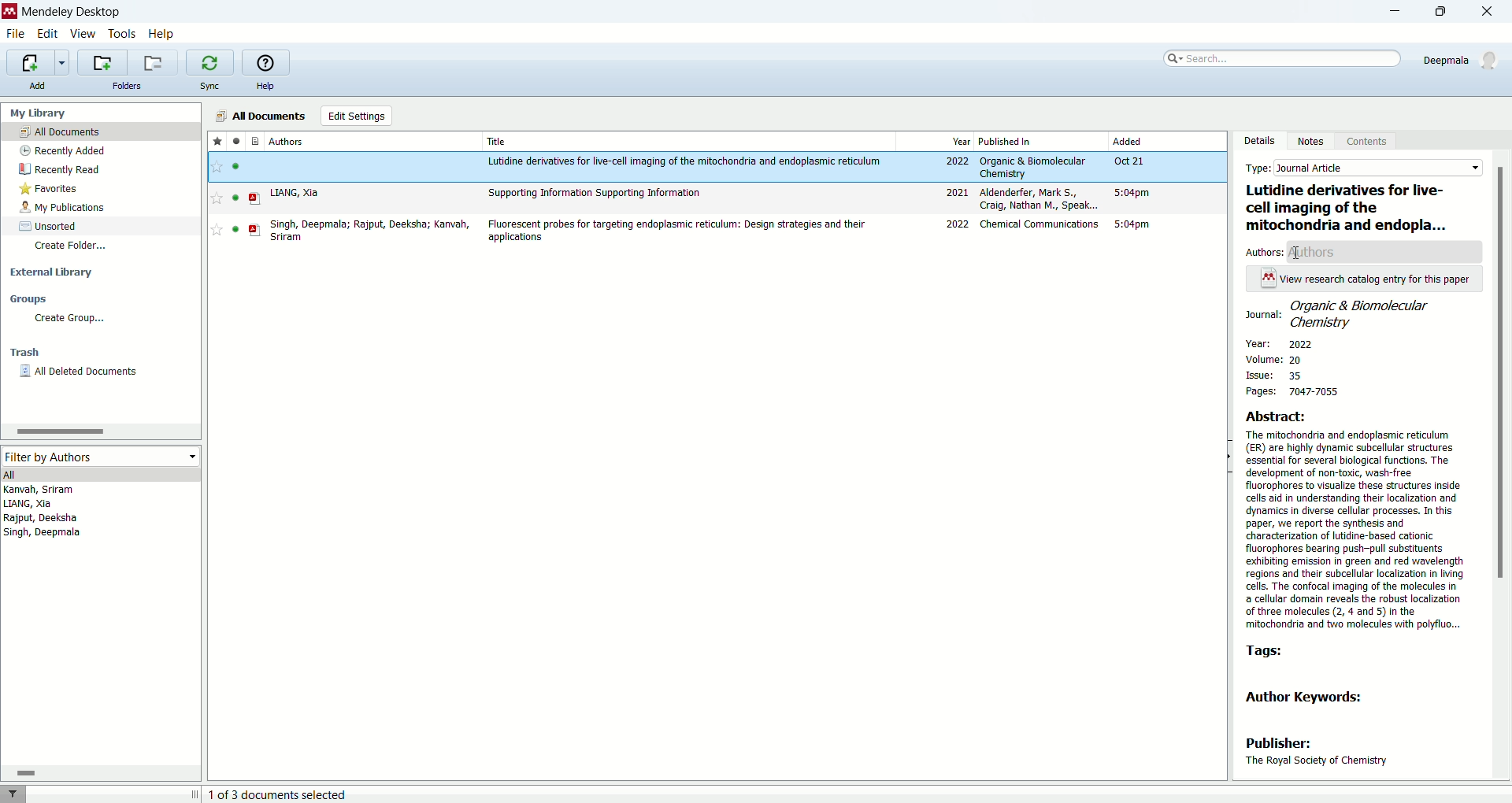  I want to click on scroll bar, so click(1502, 465).